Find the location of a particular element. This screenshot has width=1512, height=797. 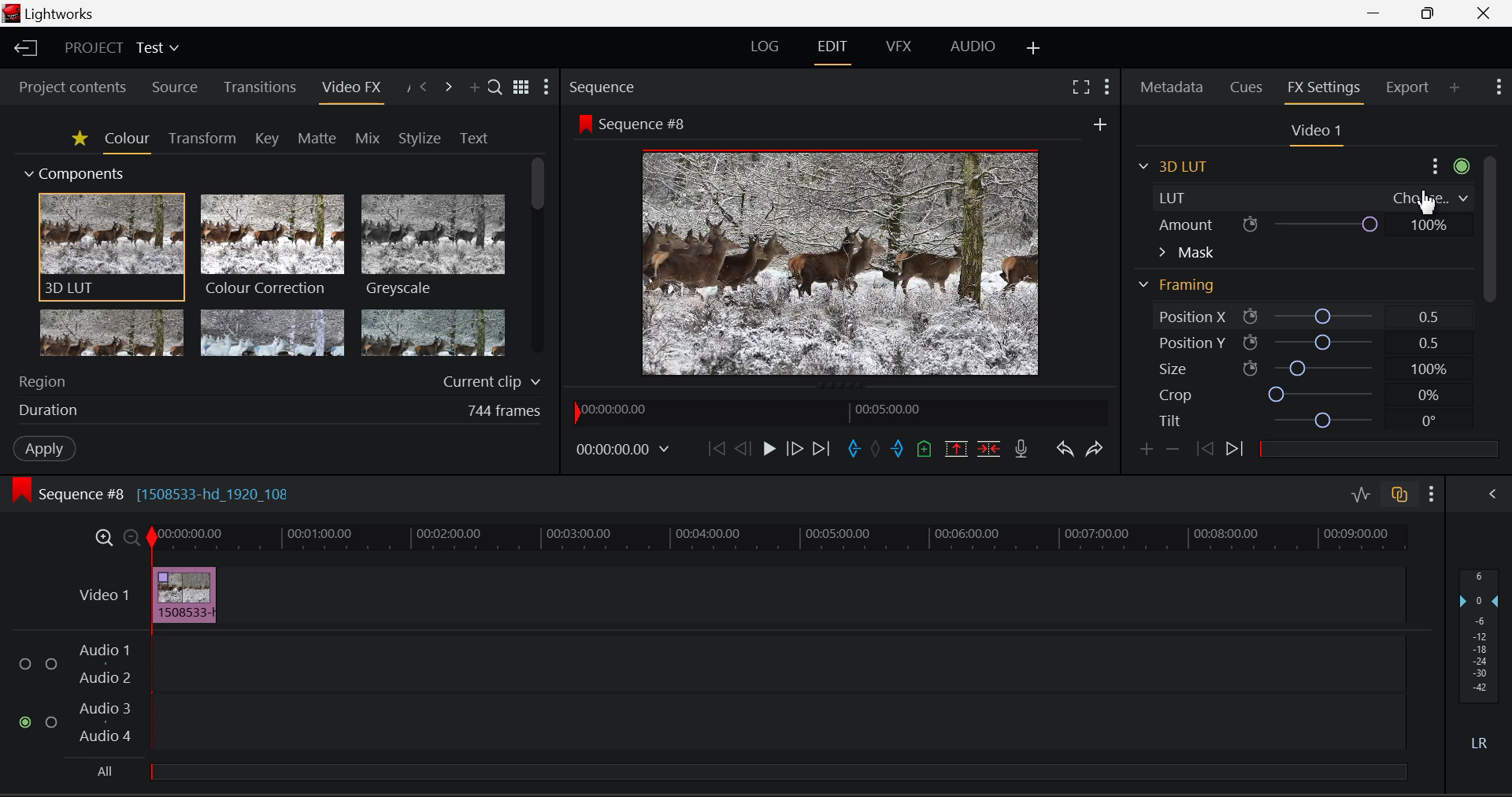

Audio 2 is located at coordinates (107, 679).